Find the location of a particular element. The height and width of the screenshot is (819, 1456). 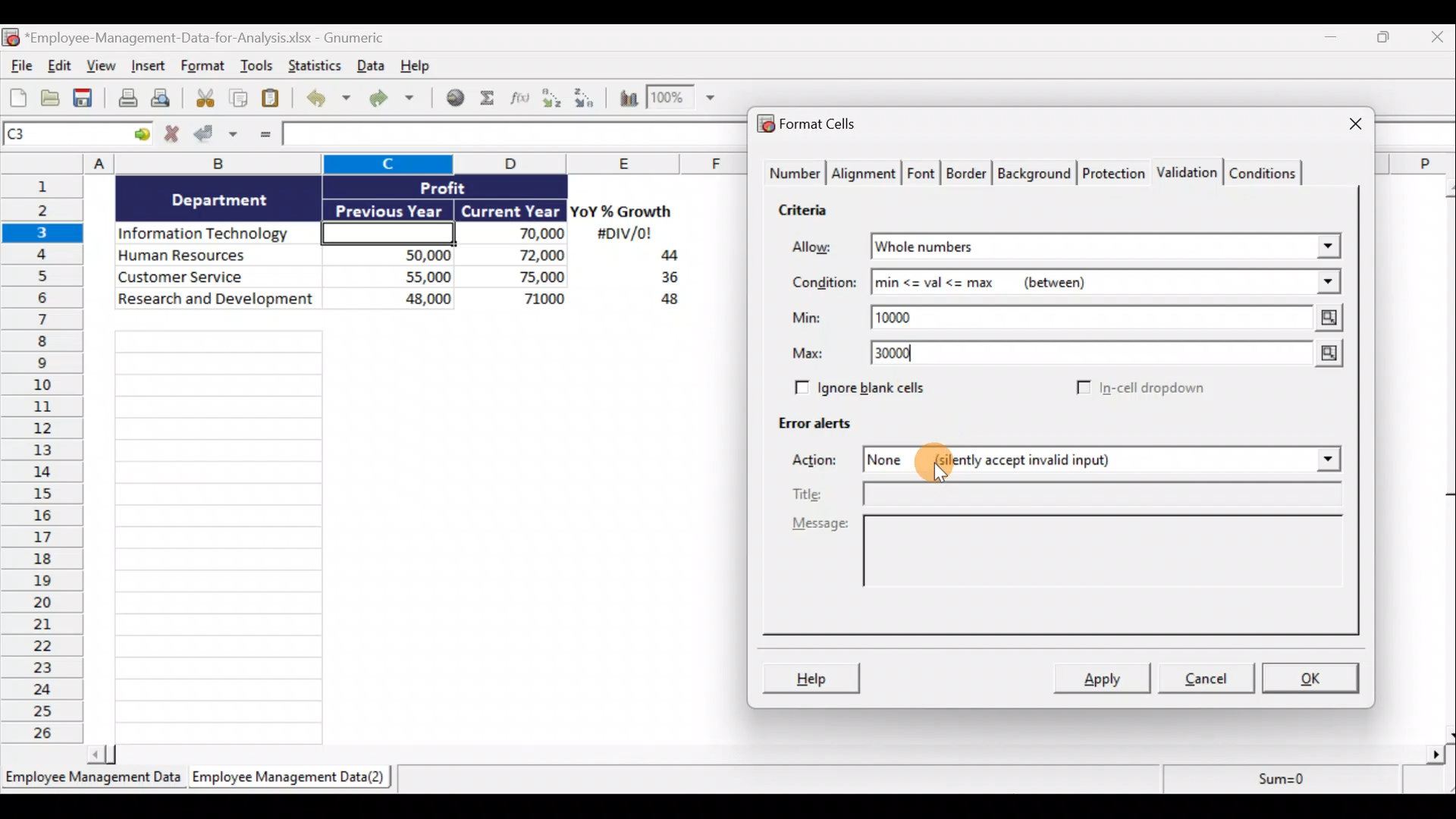

Min value is located at coordinates (1325, 318).